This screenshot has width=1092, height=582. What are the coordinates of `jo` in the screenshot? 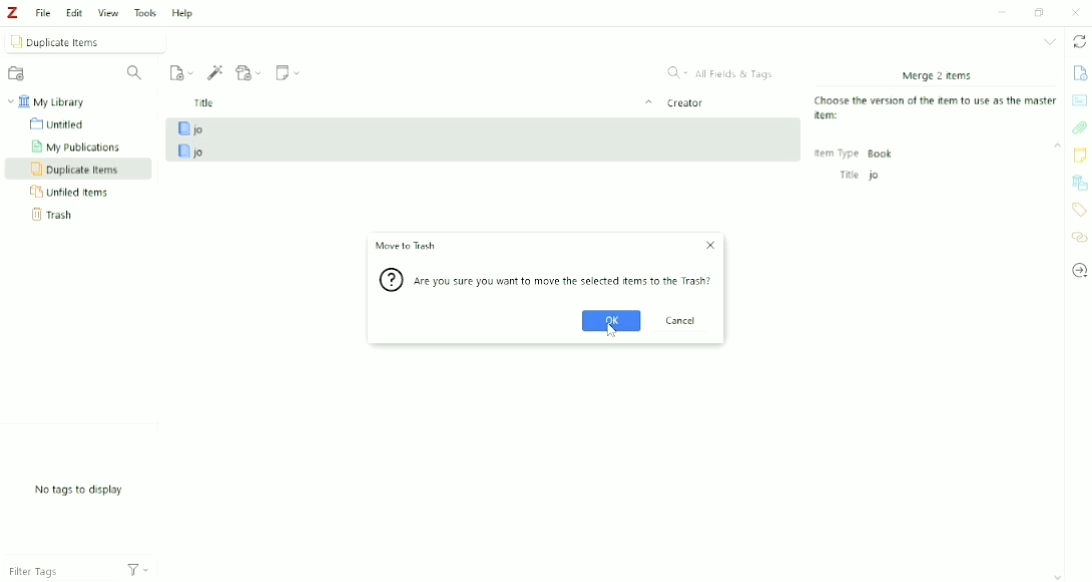 It's located at (486, 151).